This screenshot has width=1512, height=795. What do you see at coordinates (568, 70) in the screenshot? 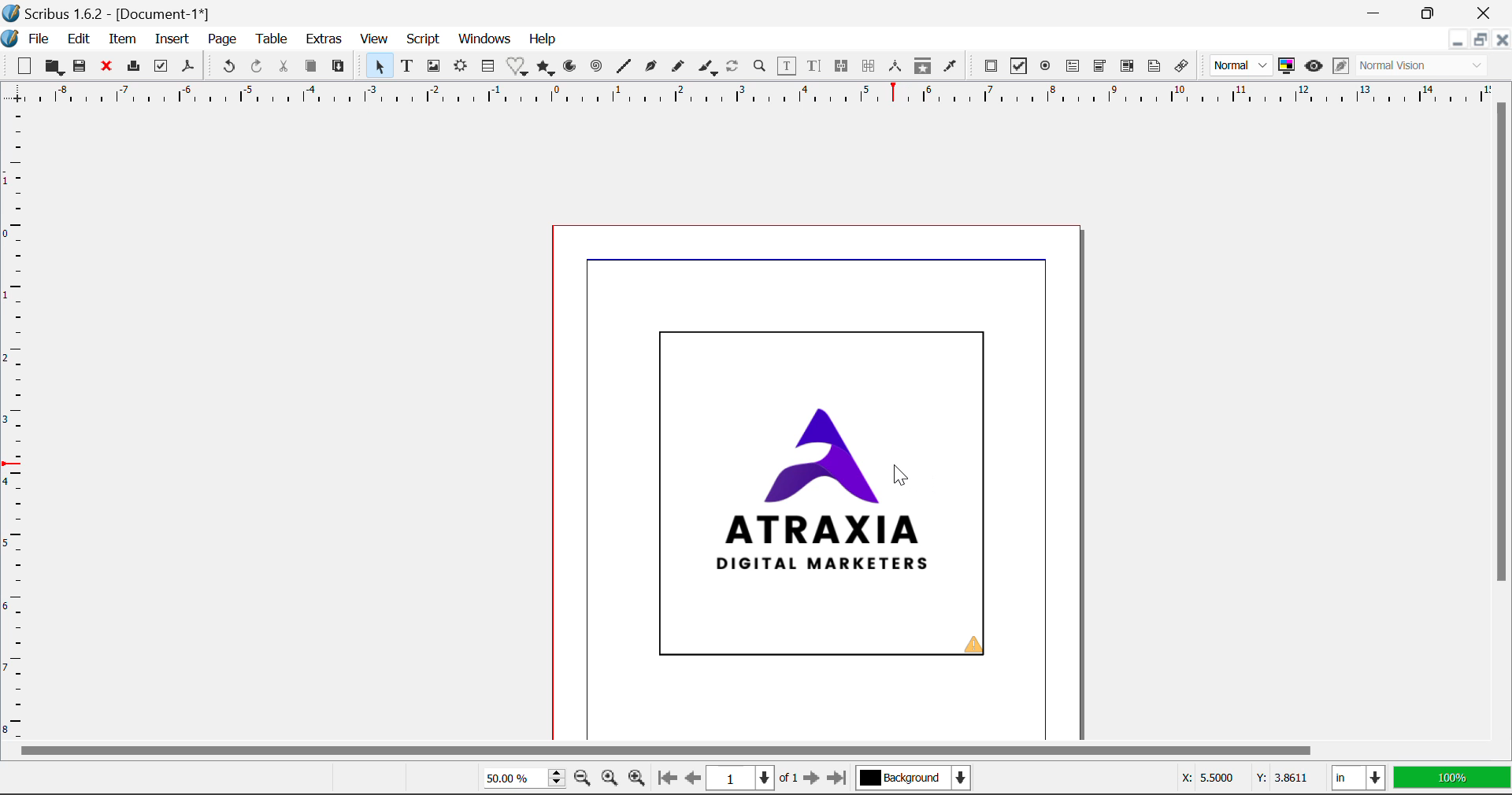
I see `Arcs` at bounding box center [568, 70].